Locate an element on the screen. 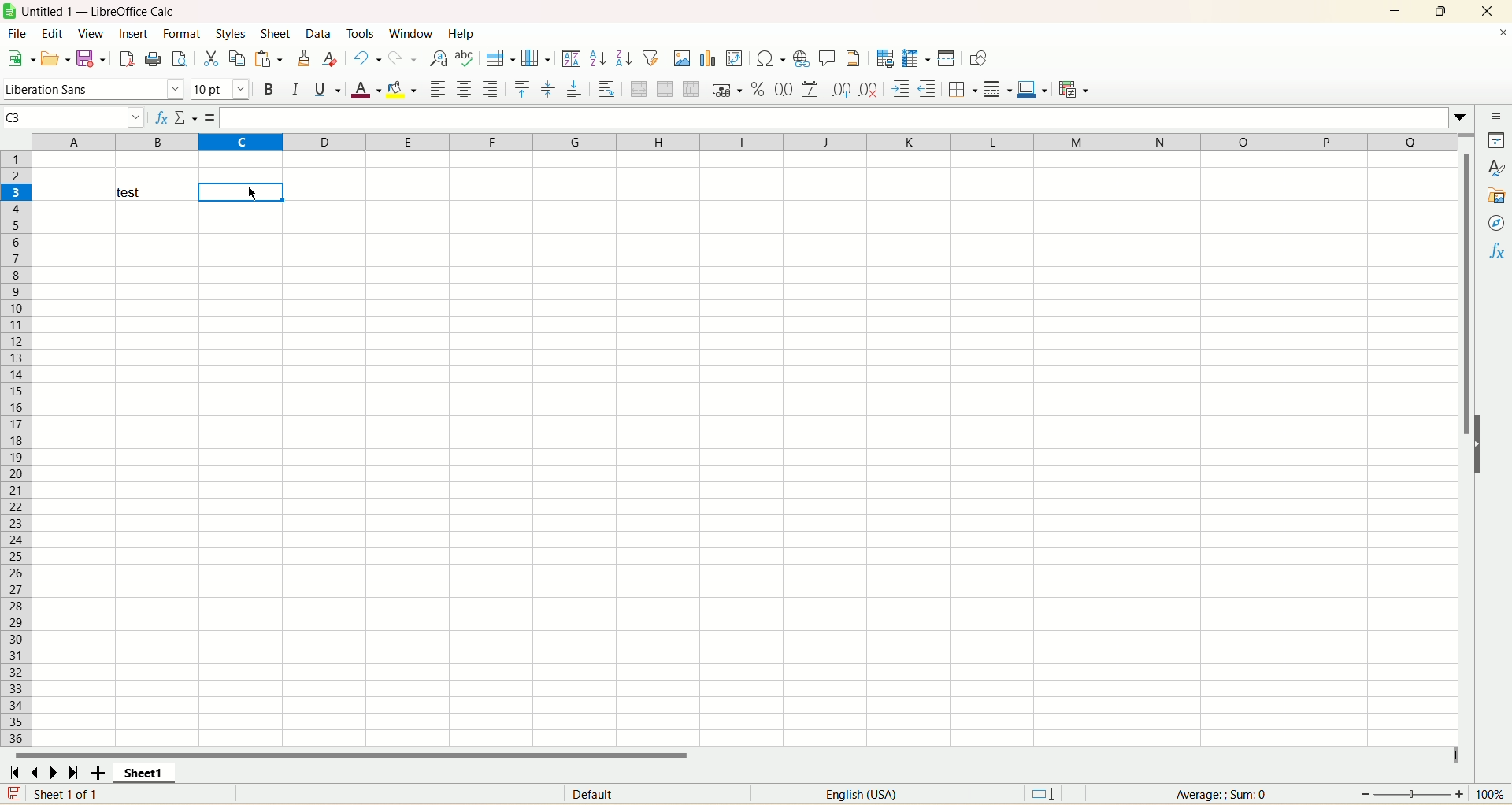  align center is located at coordinates (464, 89).